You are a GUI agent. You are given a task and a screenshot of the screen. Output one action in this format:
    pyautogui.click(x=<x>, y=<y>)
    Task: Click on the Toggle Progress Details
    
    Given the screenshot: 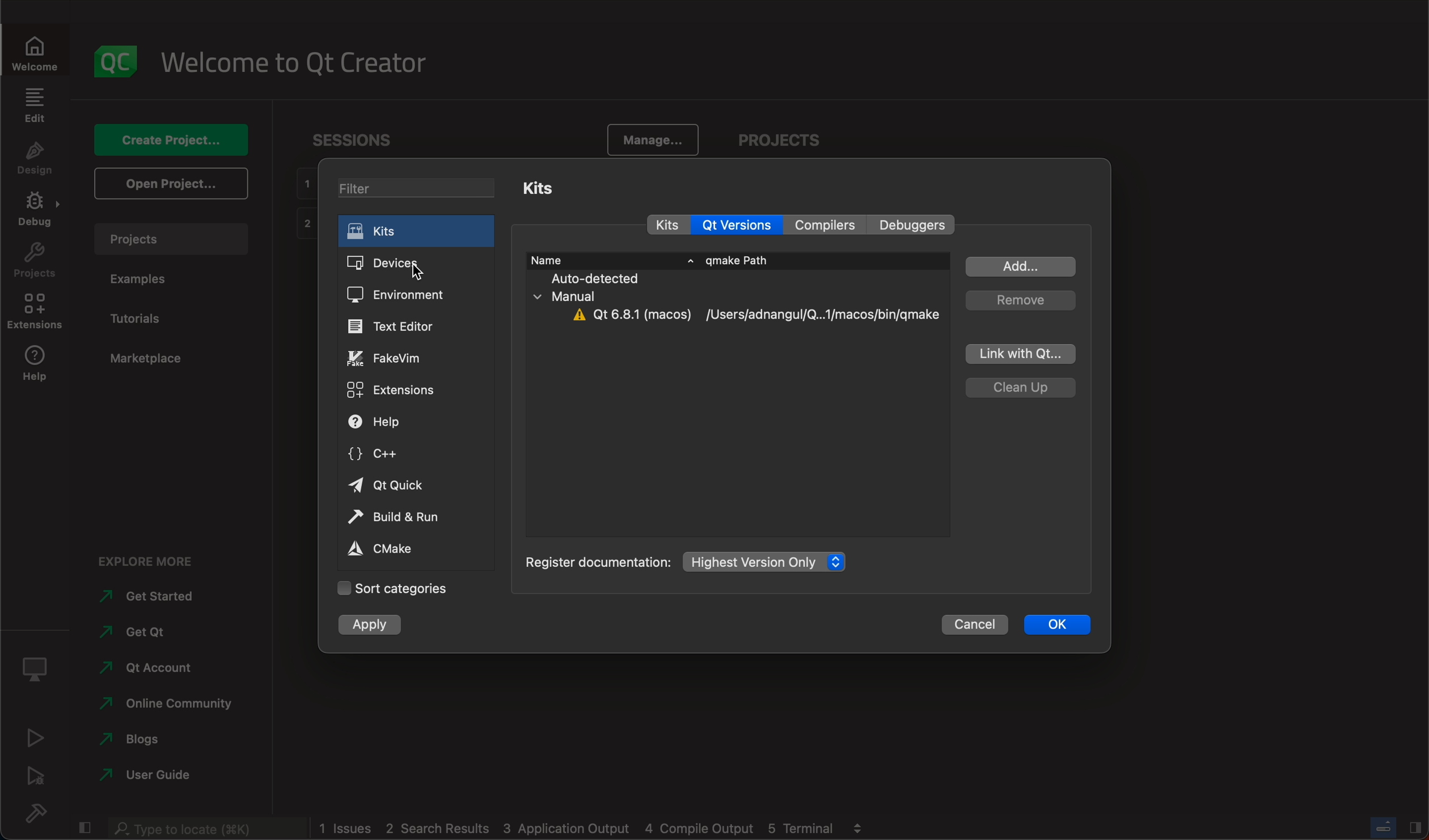 What is the action you would take?
    pyautogui.click(x=1382, y=826)
    